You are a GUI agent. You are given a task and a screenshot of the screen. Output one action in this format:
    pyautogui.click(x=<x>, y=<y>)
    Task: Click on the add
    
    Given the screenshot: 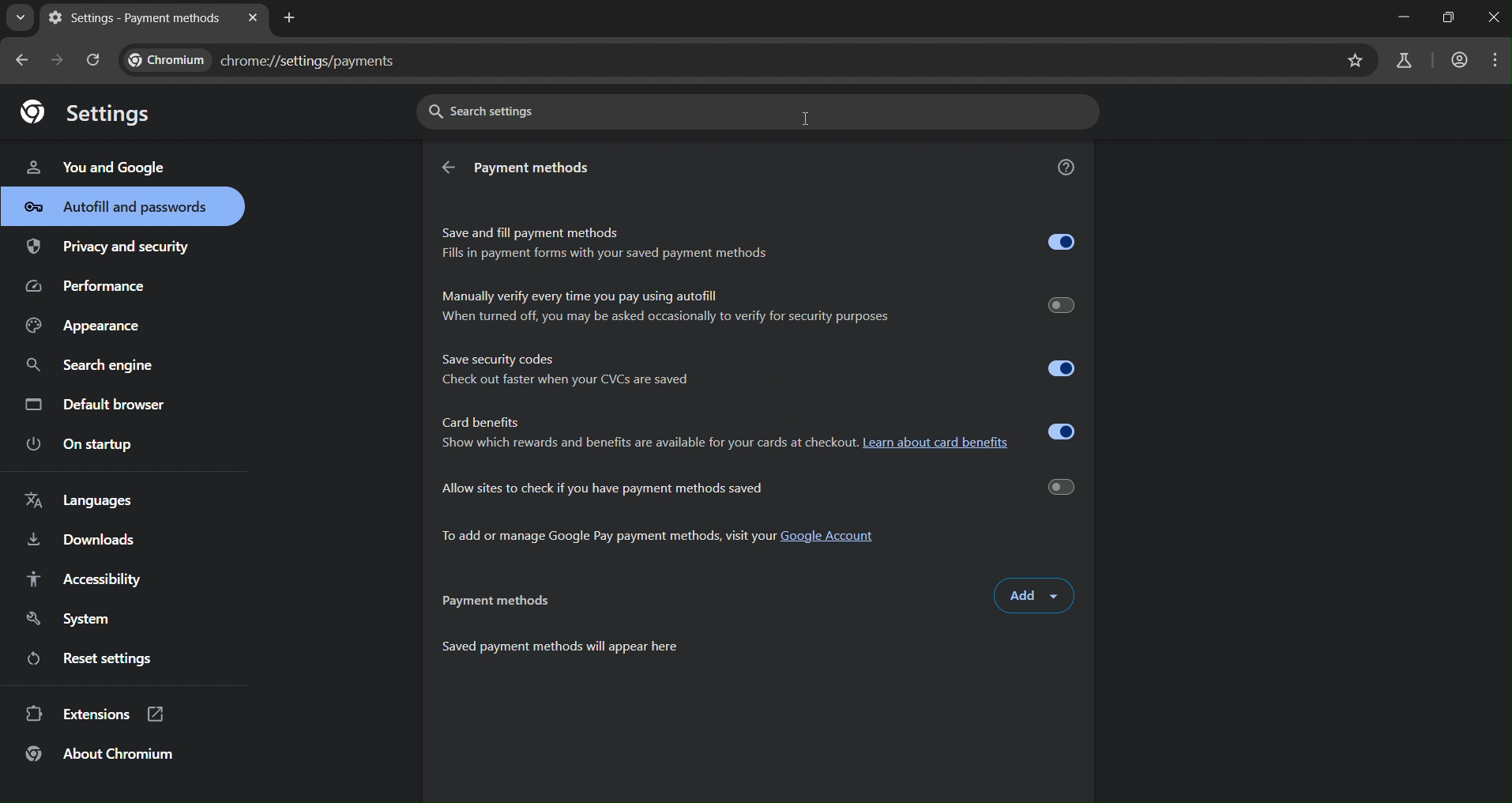 What is the action you would take?
    pyautogui.click(x=1034, y=597)
    